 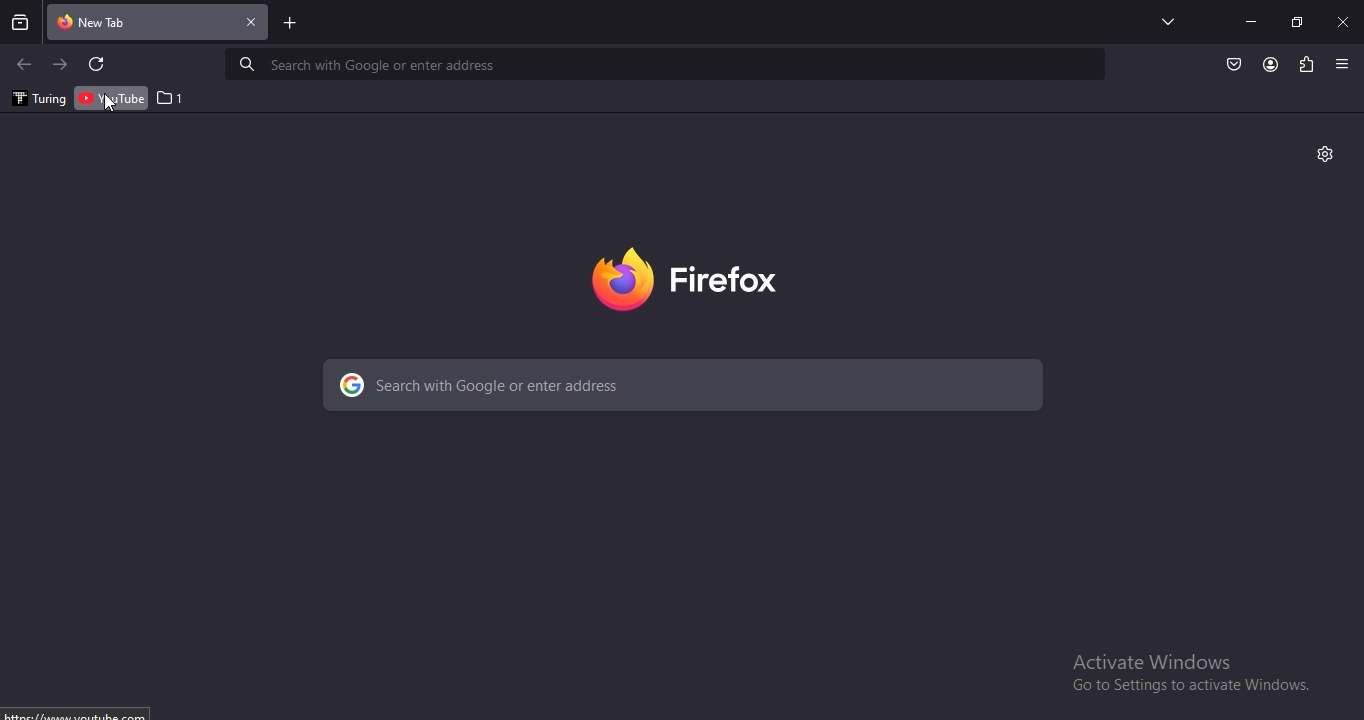 What do you see at coordinates (567, 382) in the screenshot?
I see `search with Google or enter address` at bounding box center [567, 382].